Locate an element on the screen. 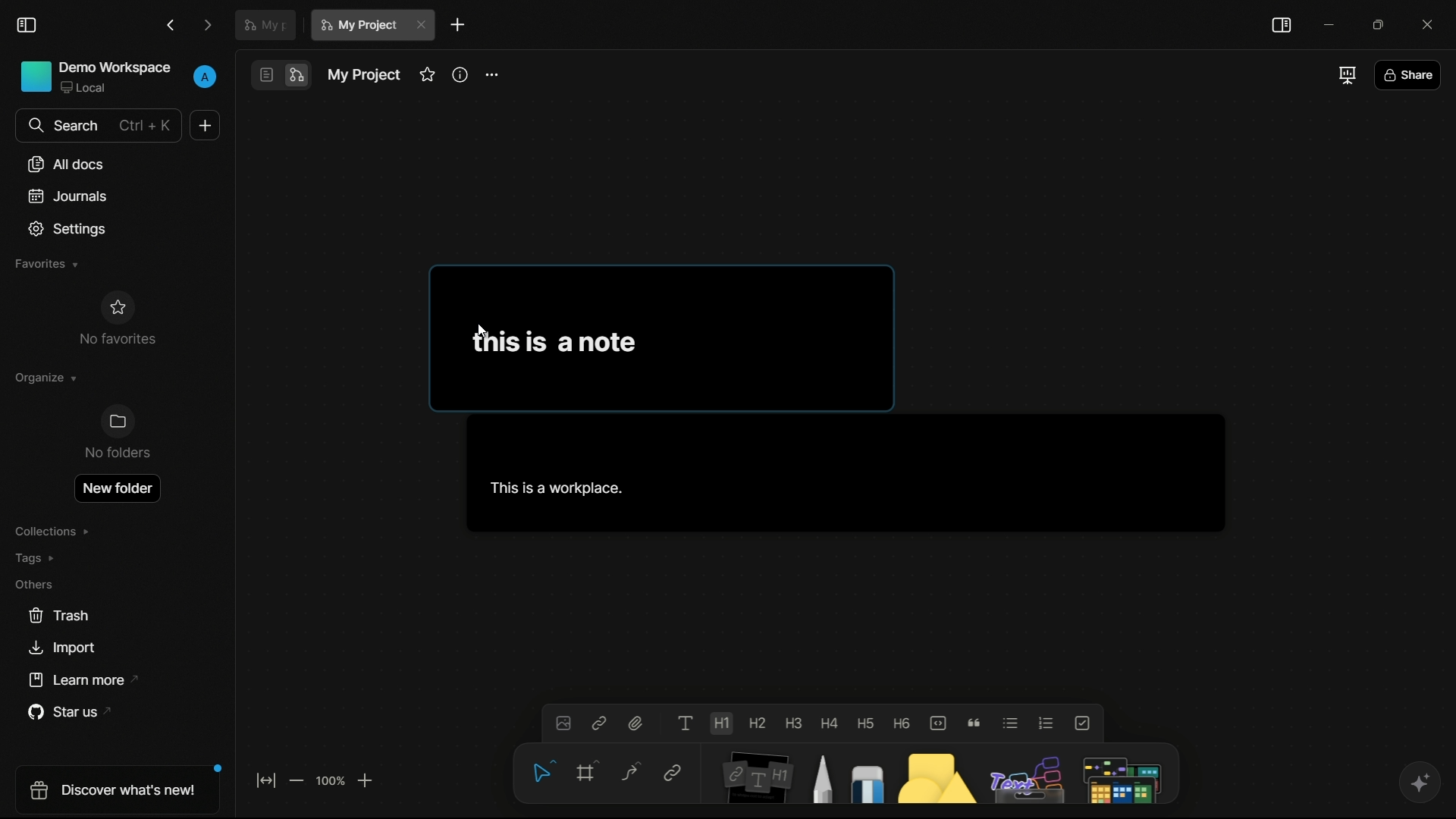  attach is located at coordinates (639, 723).